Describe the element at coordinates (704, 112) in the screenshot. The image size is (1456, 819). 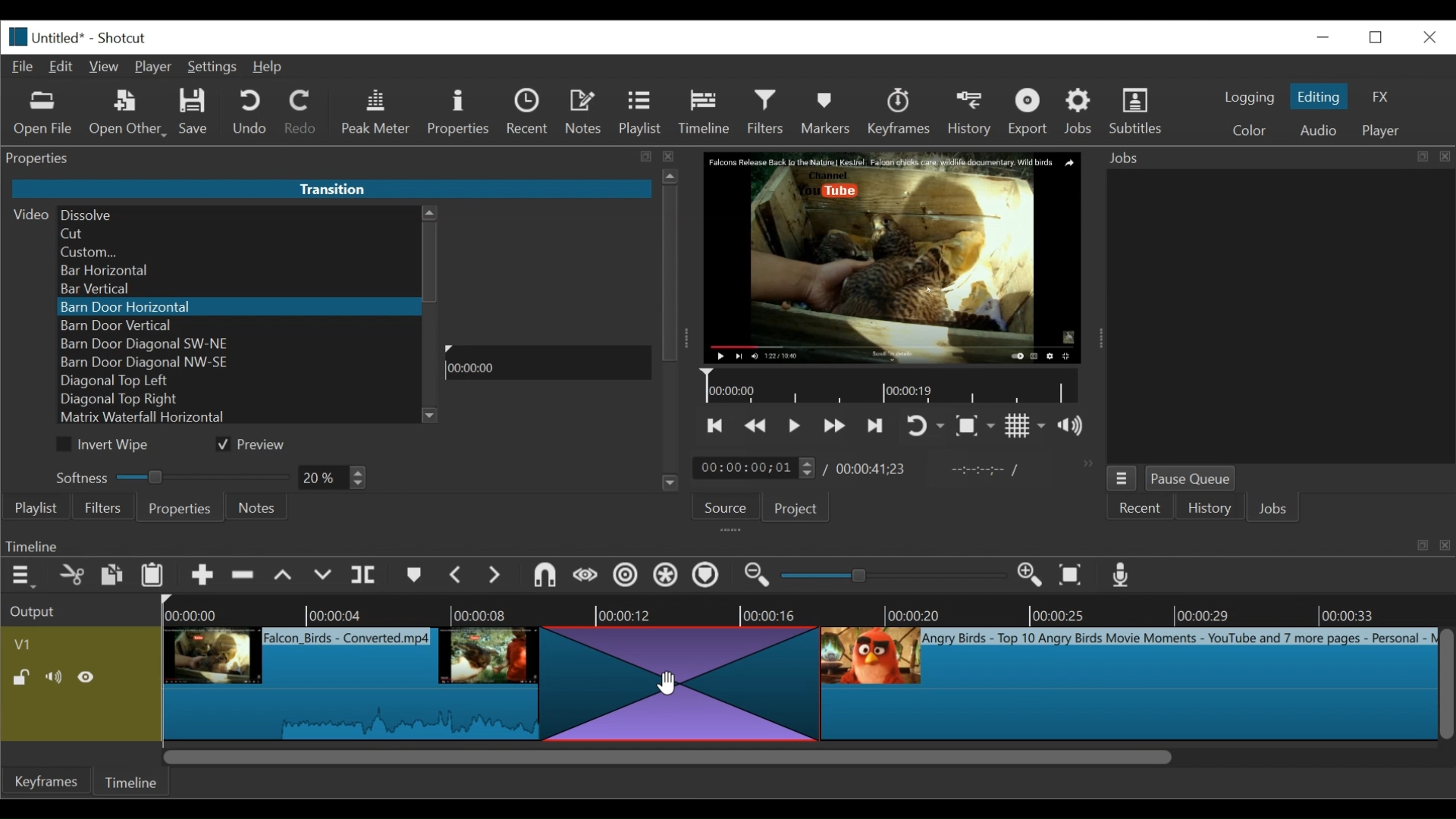
I see `Timeline` at that location.